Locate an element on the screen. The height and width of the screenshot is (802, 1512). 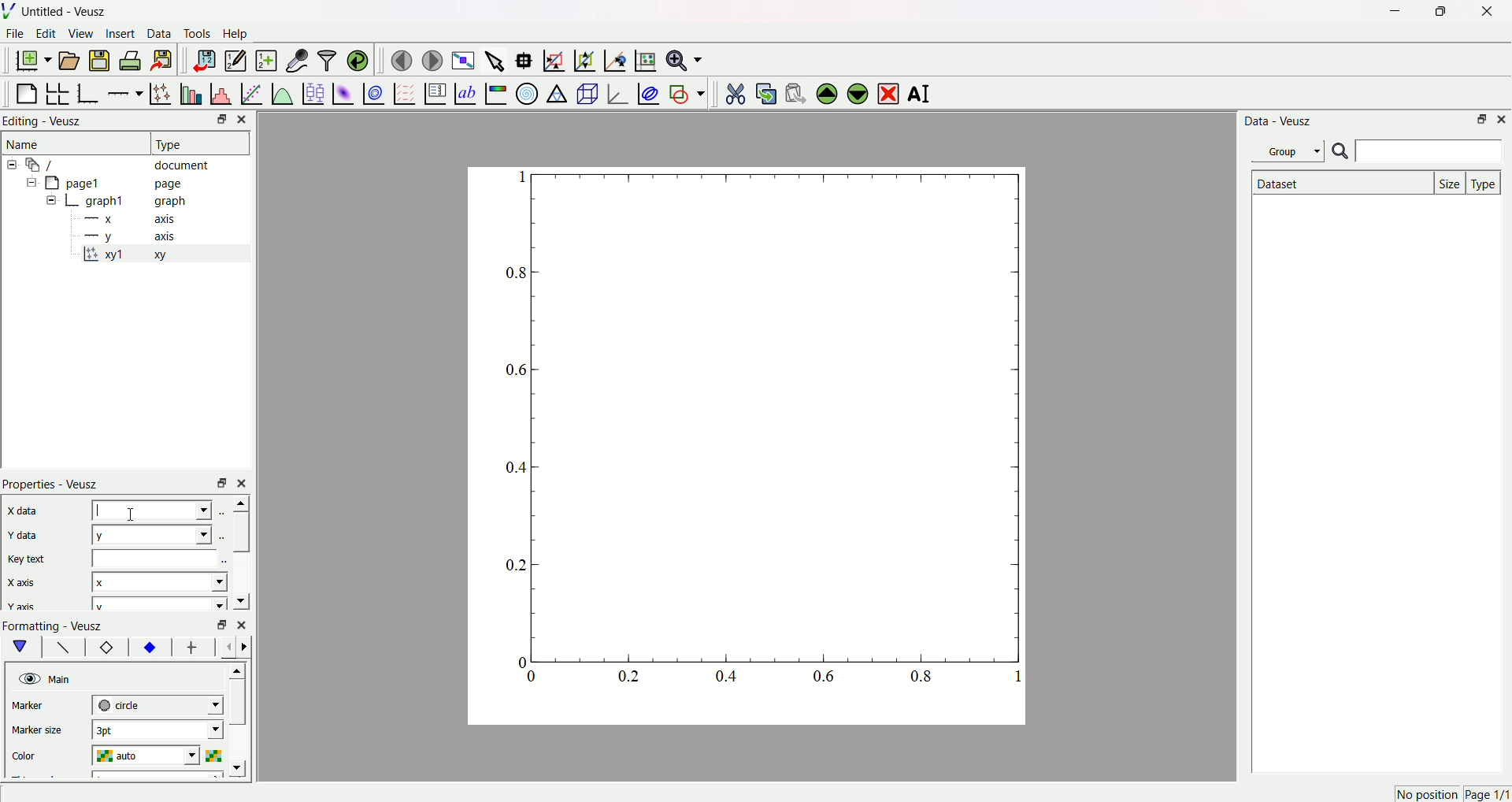
Untitled - Veusz is located at coordinates (67, 13).